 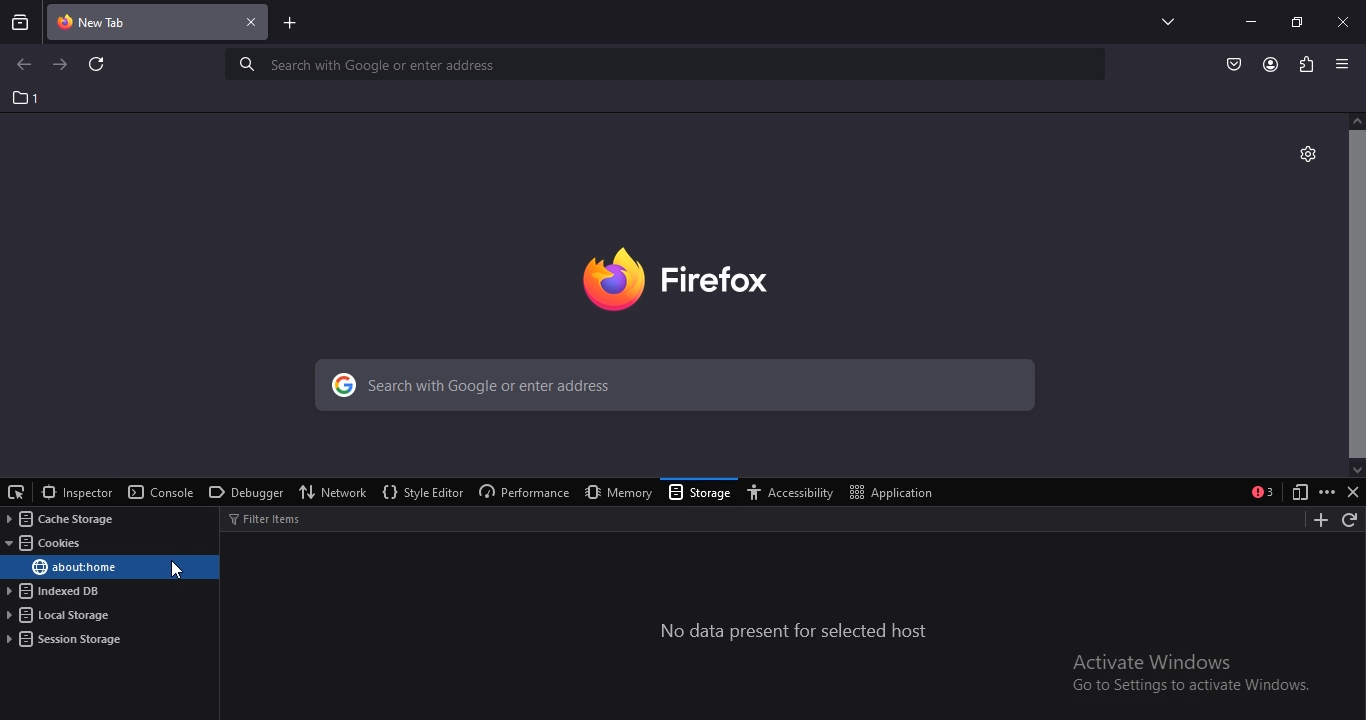 What do you see at coordinates (57, 519) in the screenshot?
I see `cache storage` at bounding box center [57, 519].